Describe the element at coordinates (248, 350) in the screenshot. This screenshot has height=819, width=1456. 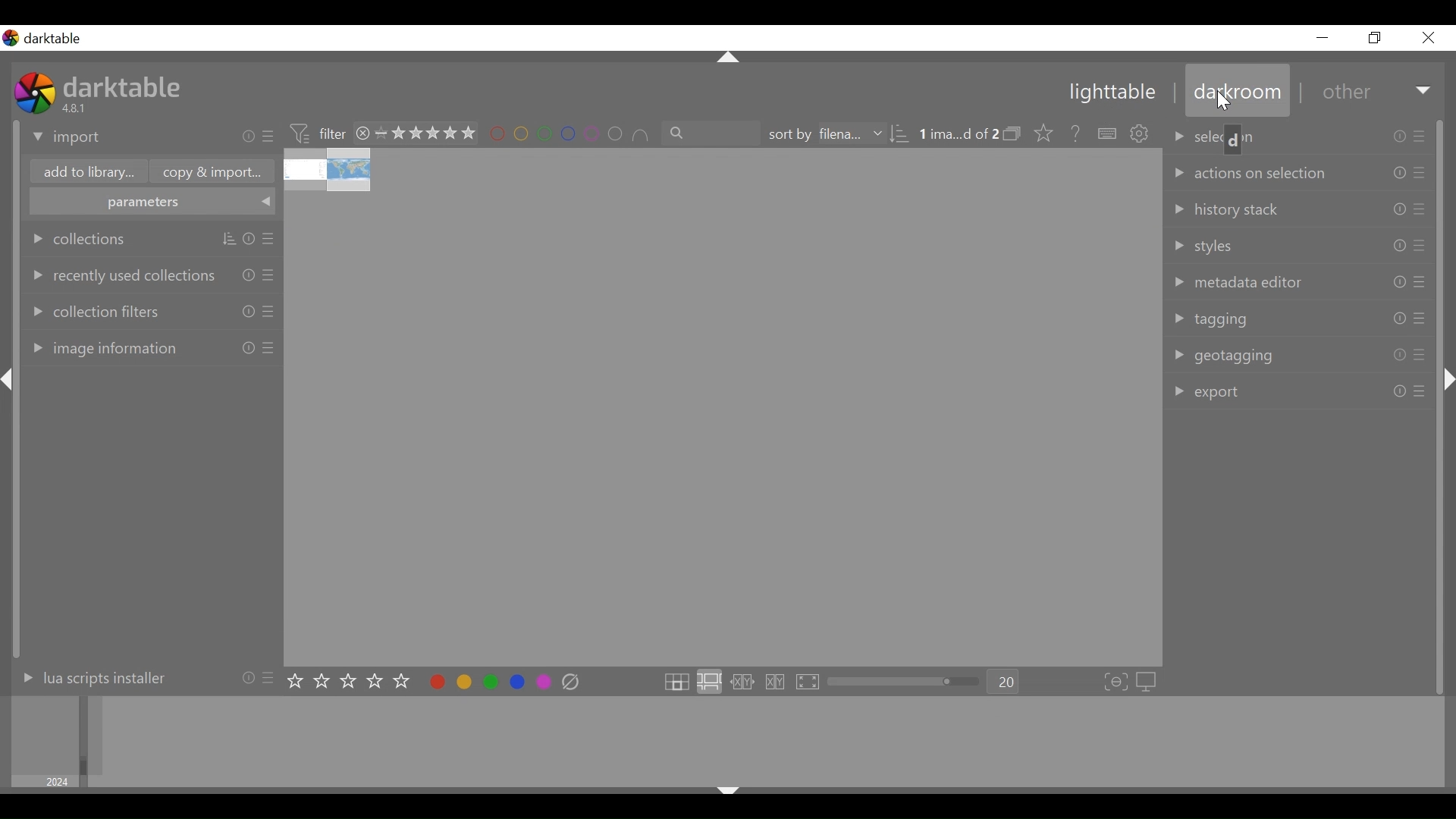
I see `` at that location.